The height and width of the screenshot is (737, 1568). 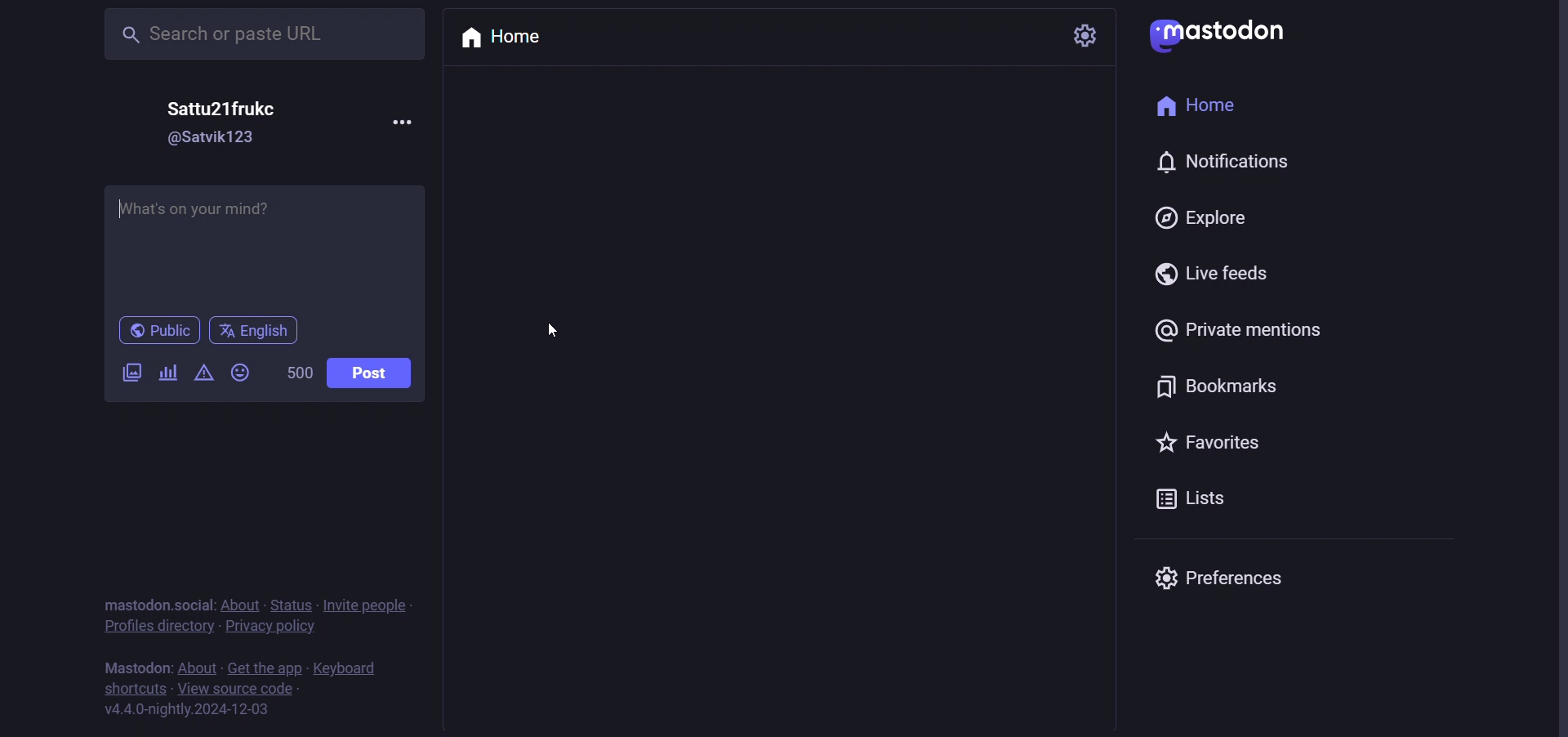 I want to click on images/video, so click(x=126, y=374).